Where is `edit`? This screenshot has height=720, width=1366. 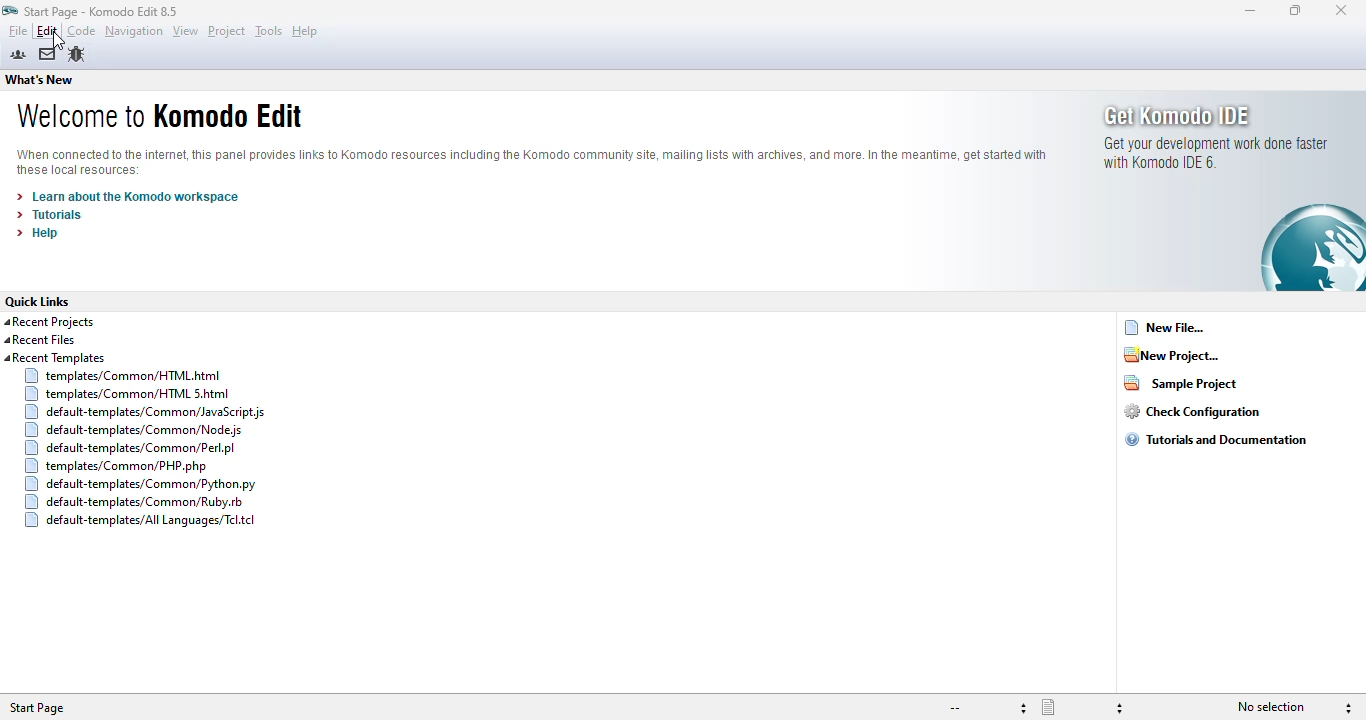 edit is located at coordinates (46, 31).